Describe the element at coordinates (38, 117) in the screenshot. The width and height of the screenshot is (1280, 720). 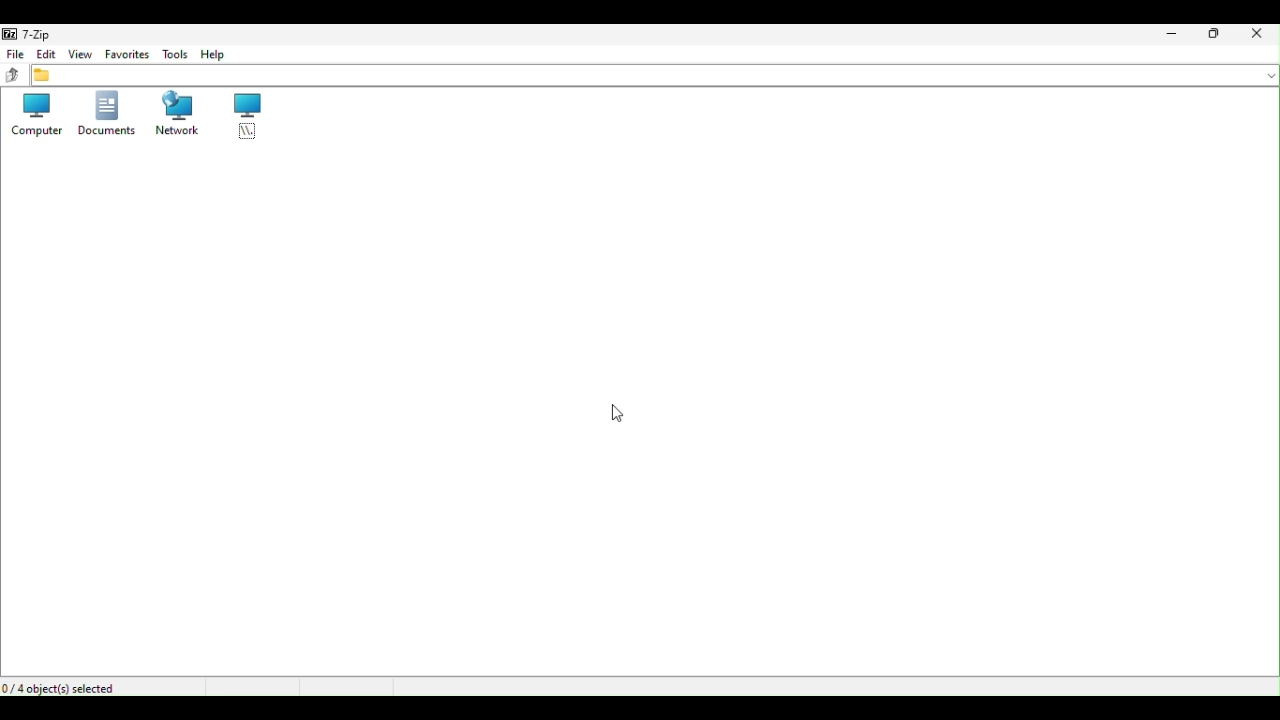
I see `Computer` at that location.